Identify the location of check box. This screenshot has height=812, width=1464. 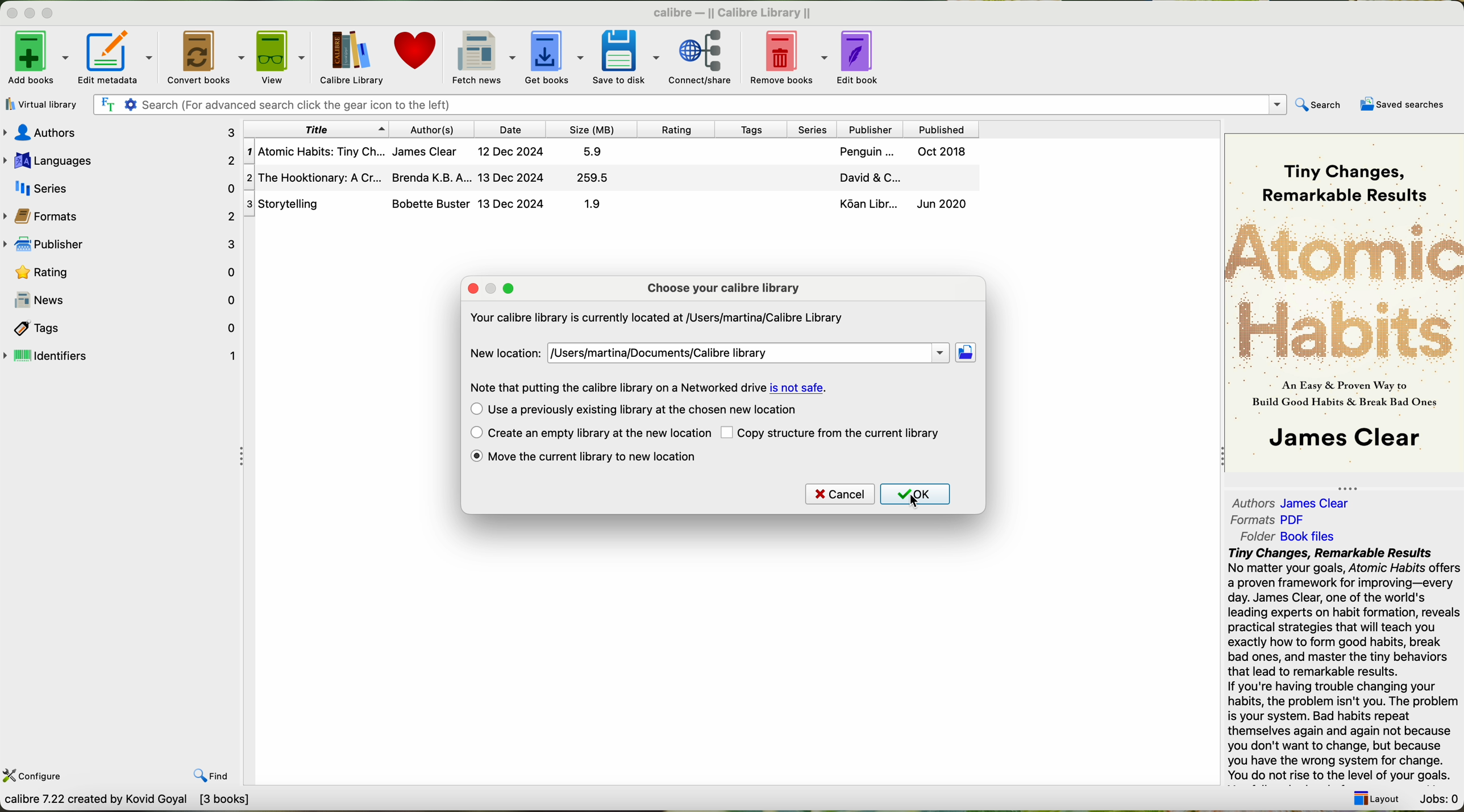
(476, 457).